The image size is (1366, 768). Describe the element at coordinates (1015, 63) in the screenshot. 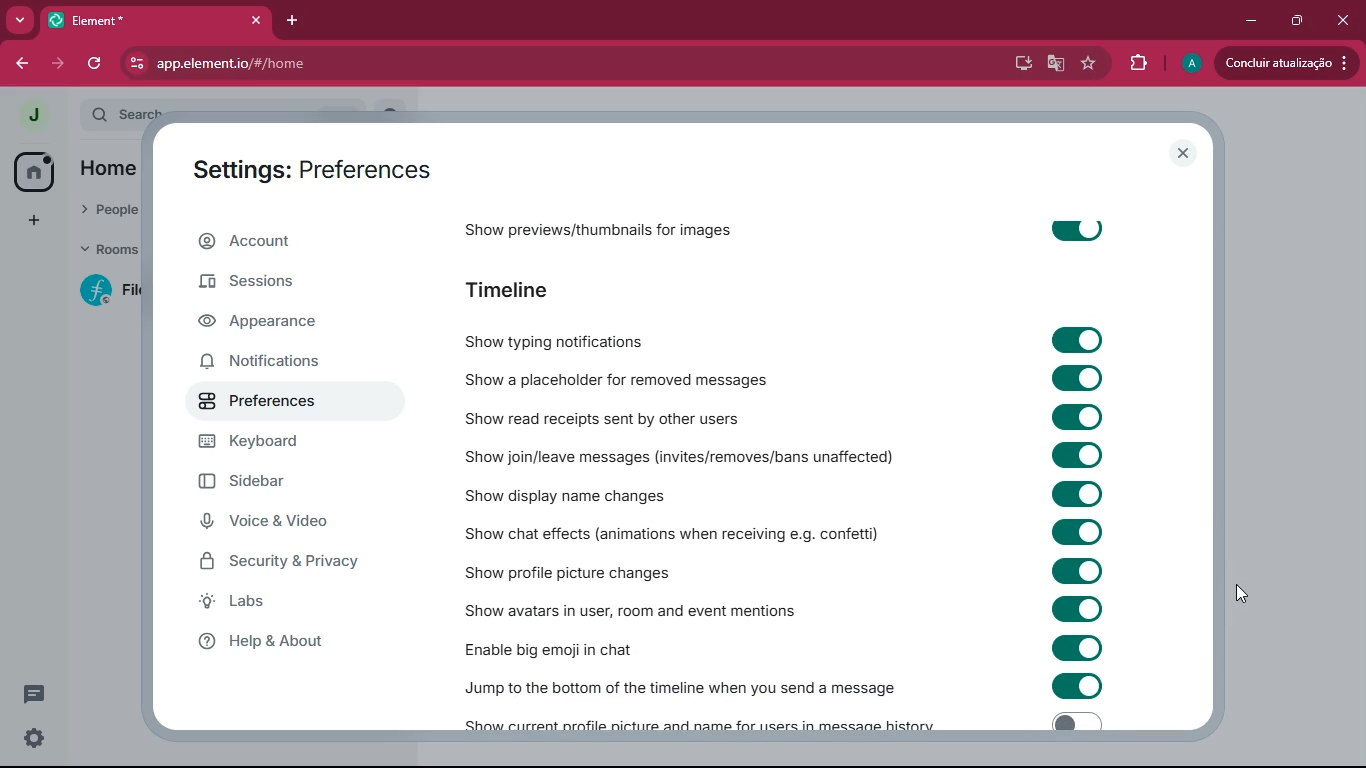

I see `desktop` at that location.